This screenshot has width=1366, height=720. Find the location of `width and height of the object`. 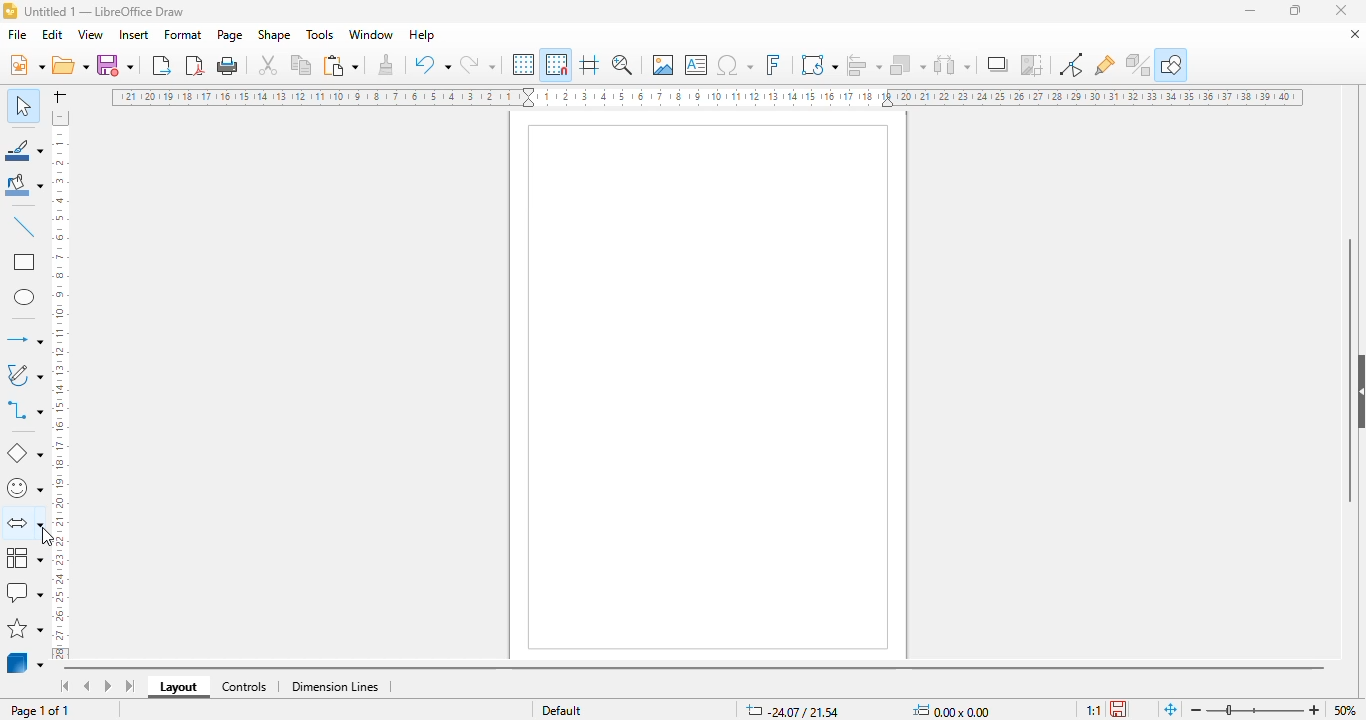

width and height of the object is located at coordinates (955, 710).